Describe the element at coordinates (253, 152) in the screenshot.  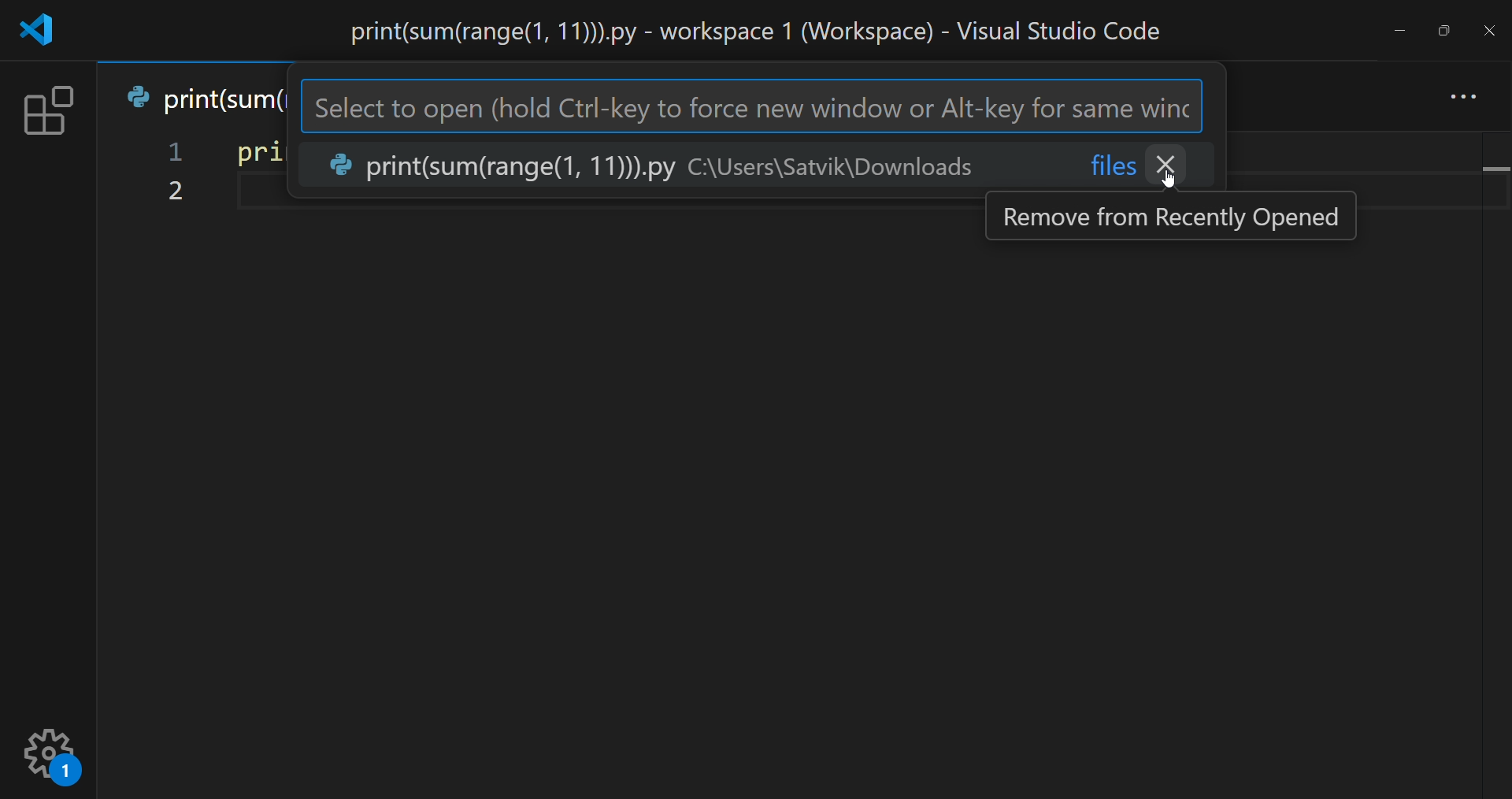
I see `code` at that location.